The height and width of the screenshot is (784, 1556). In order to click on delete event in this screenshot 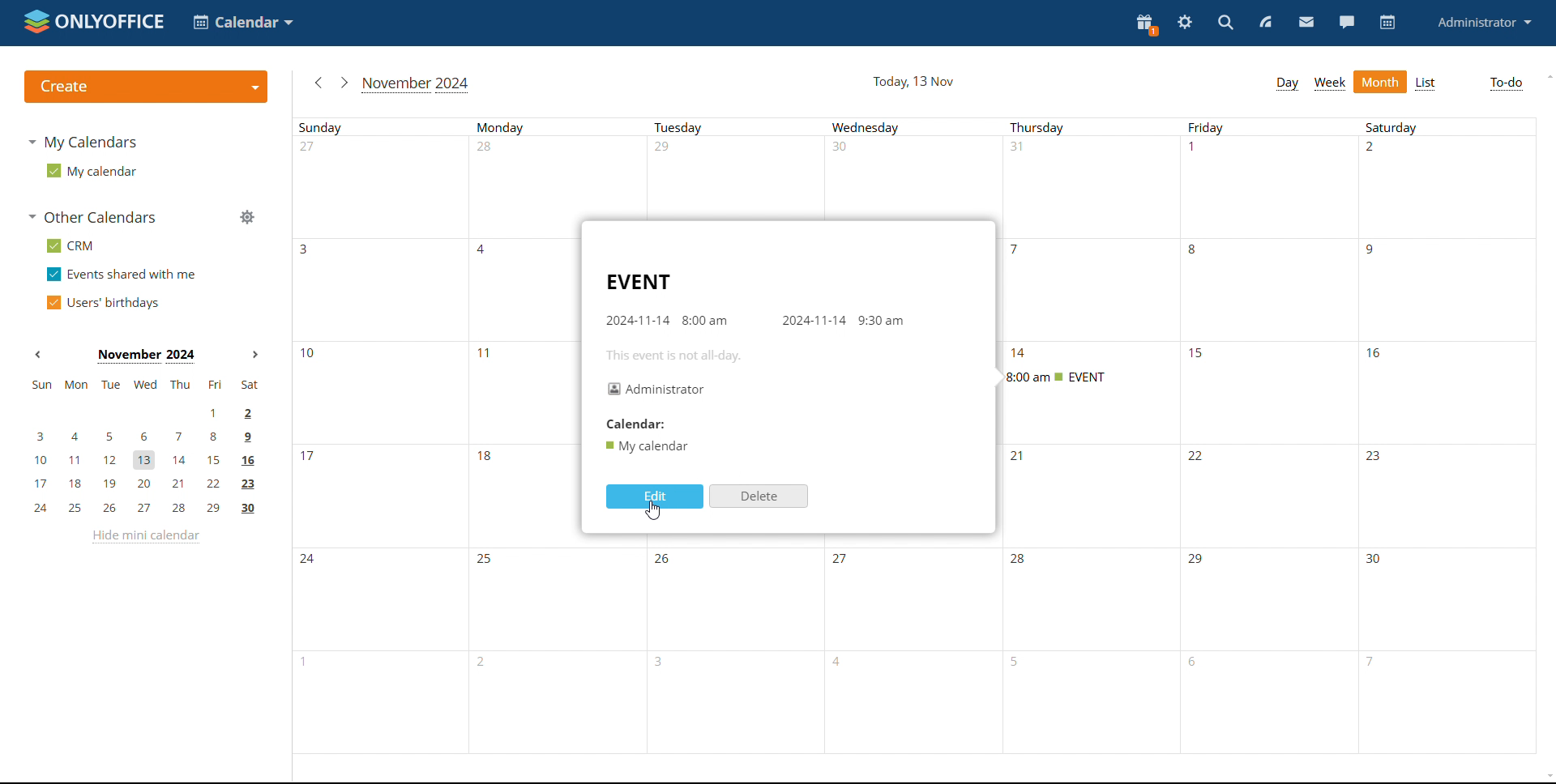, I will do `click(759, 496)`.